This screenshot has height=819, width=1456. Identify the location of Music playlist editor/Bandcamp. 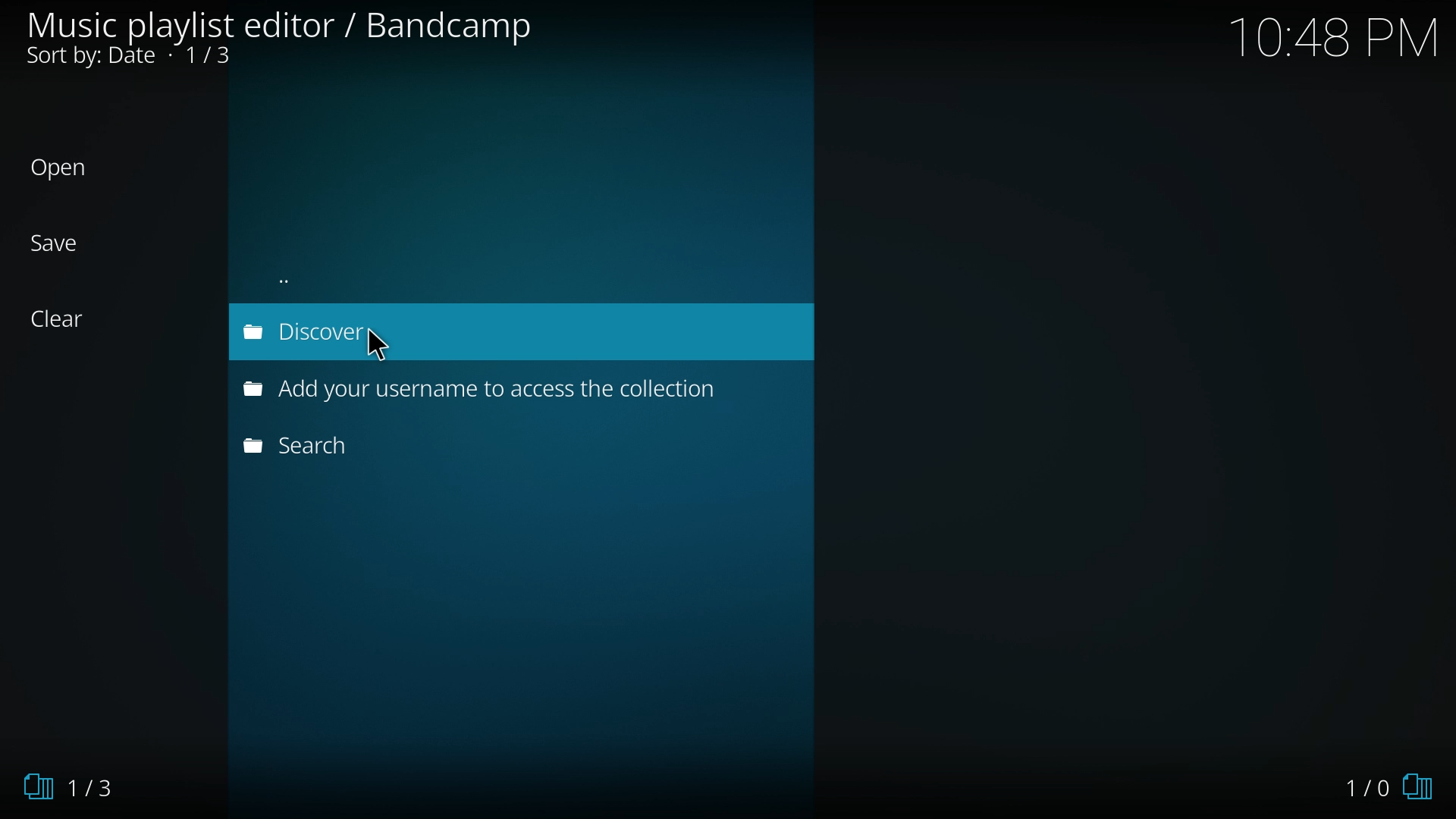
(278, 39).